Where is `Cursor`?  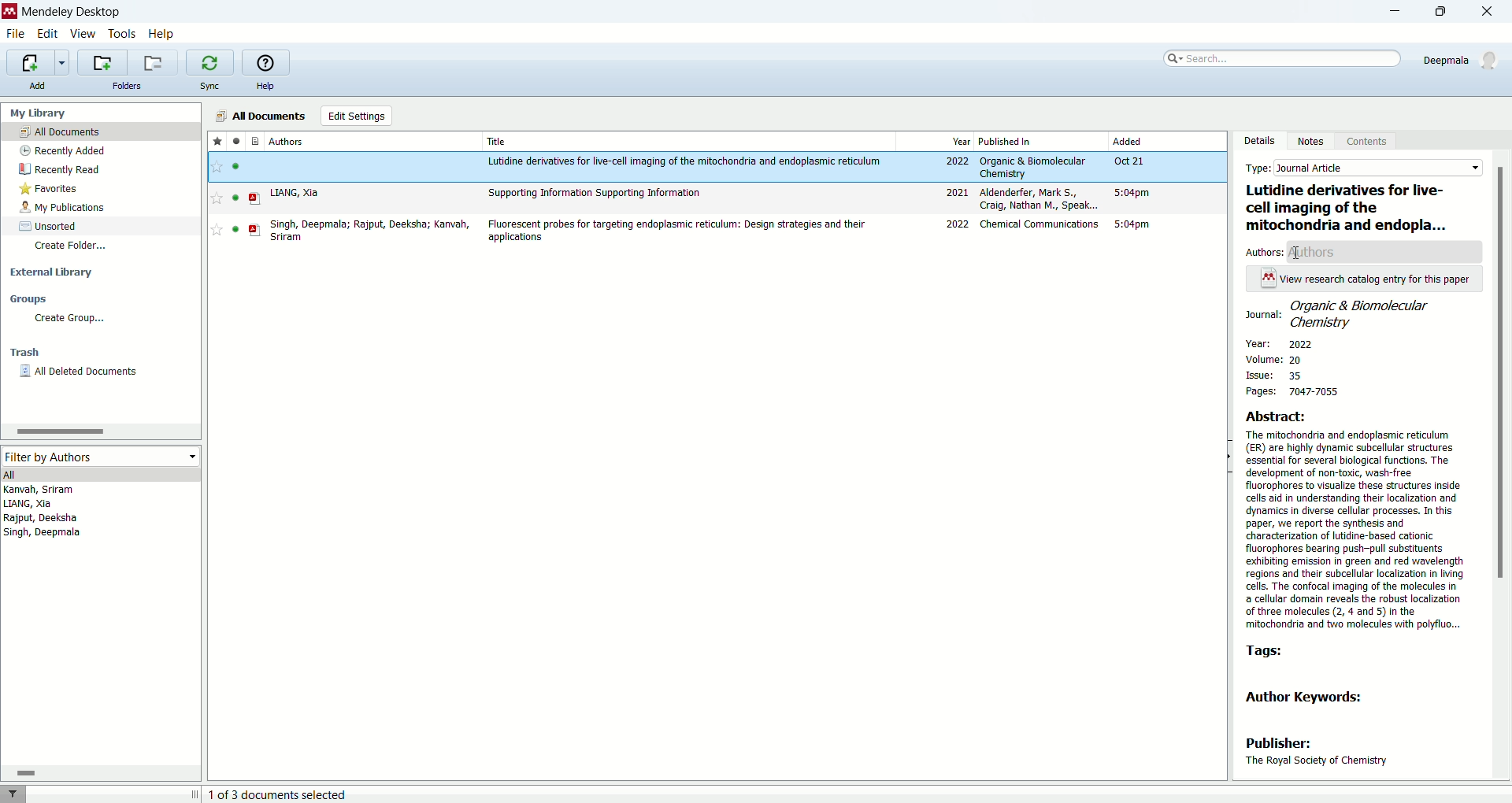 Cursor is located at coordinates (1299, 252).